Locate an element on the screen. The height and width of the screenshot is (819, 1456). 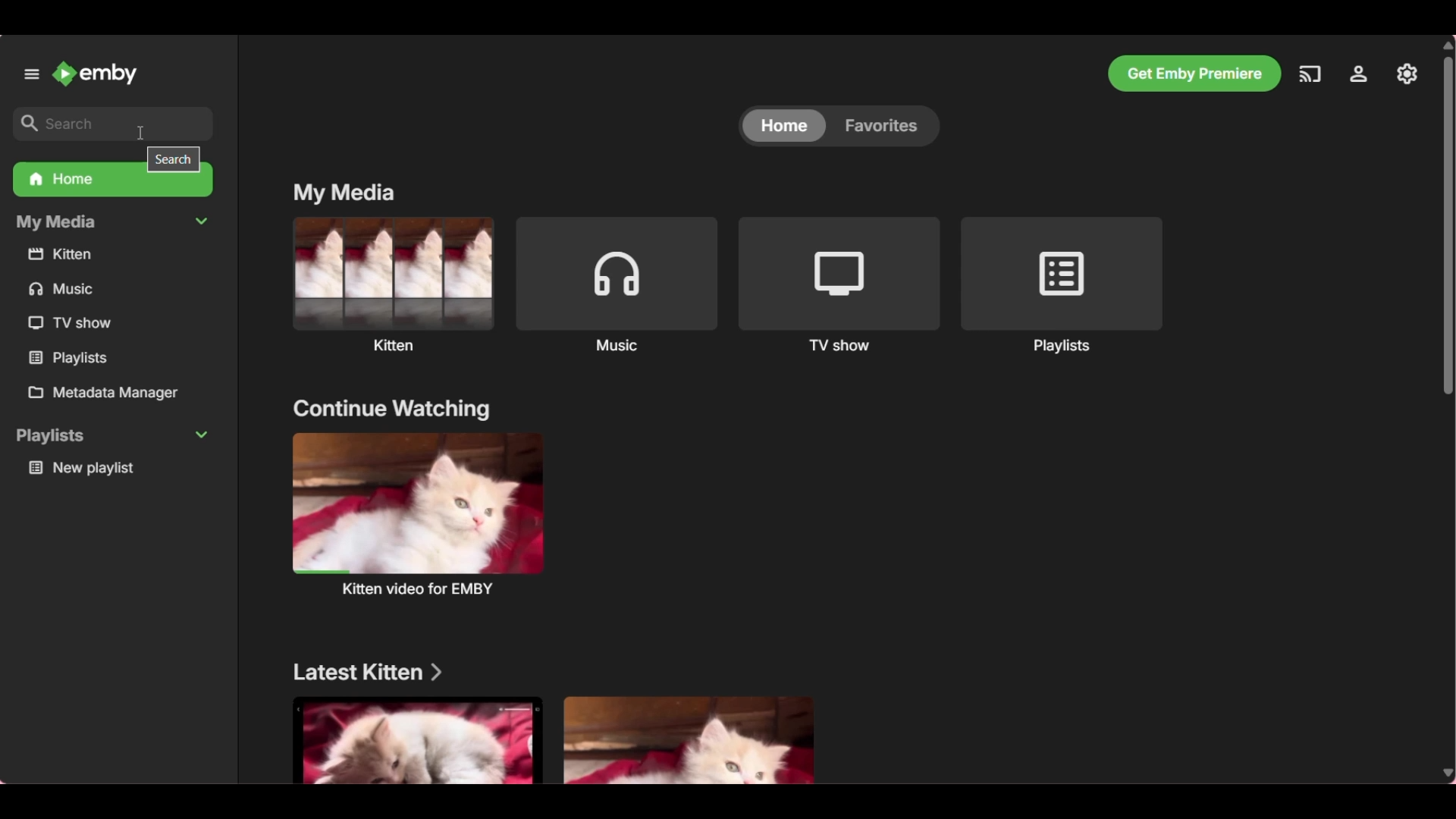
Music  is located at coordinates (616, 283).